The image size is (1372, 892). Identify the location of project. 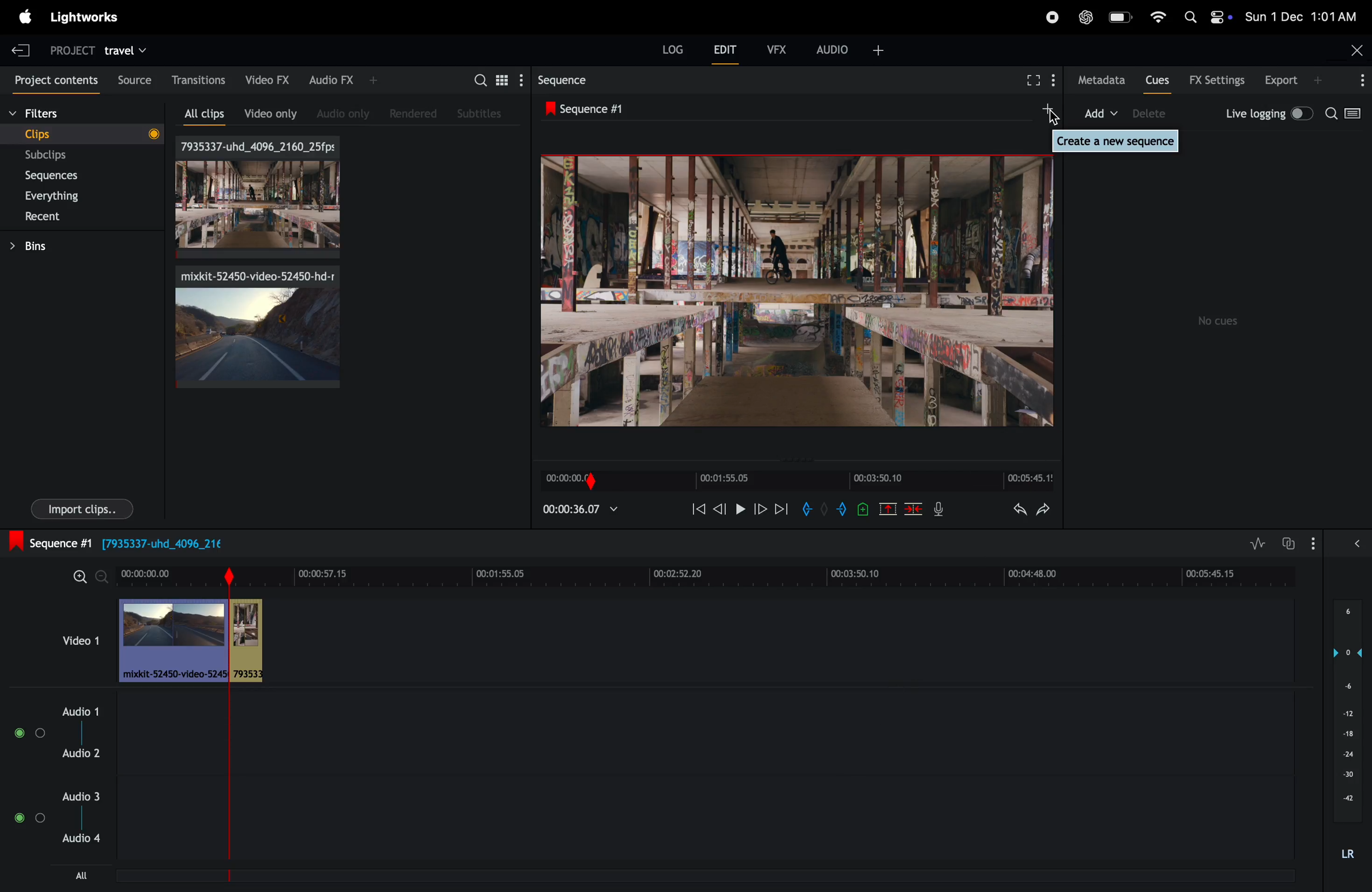
(73, 51).